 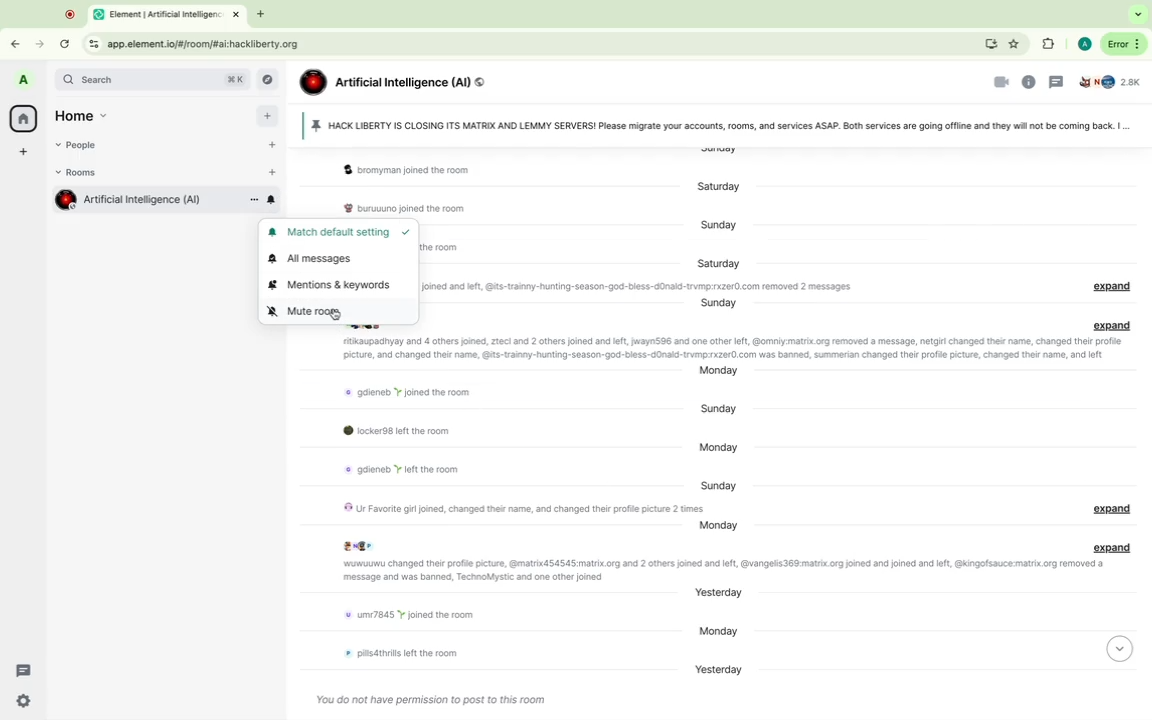 I want to click on All messages, so click(x=332, y=257).